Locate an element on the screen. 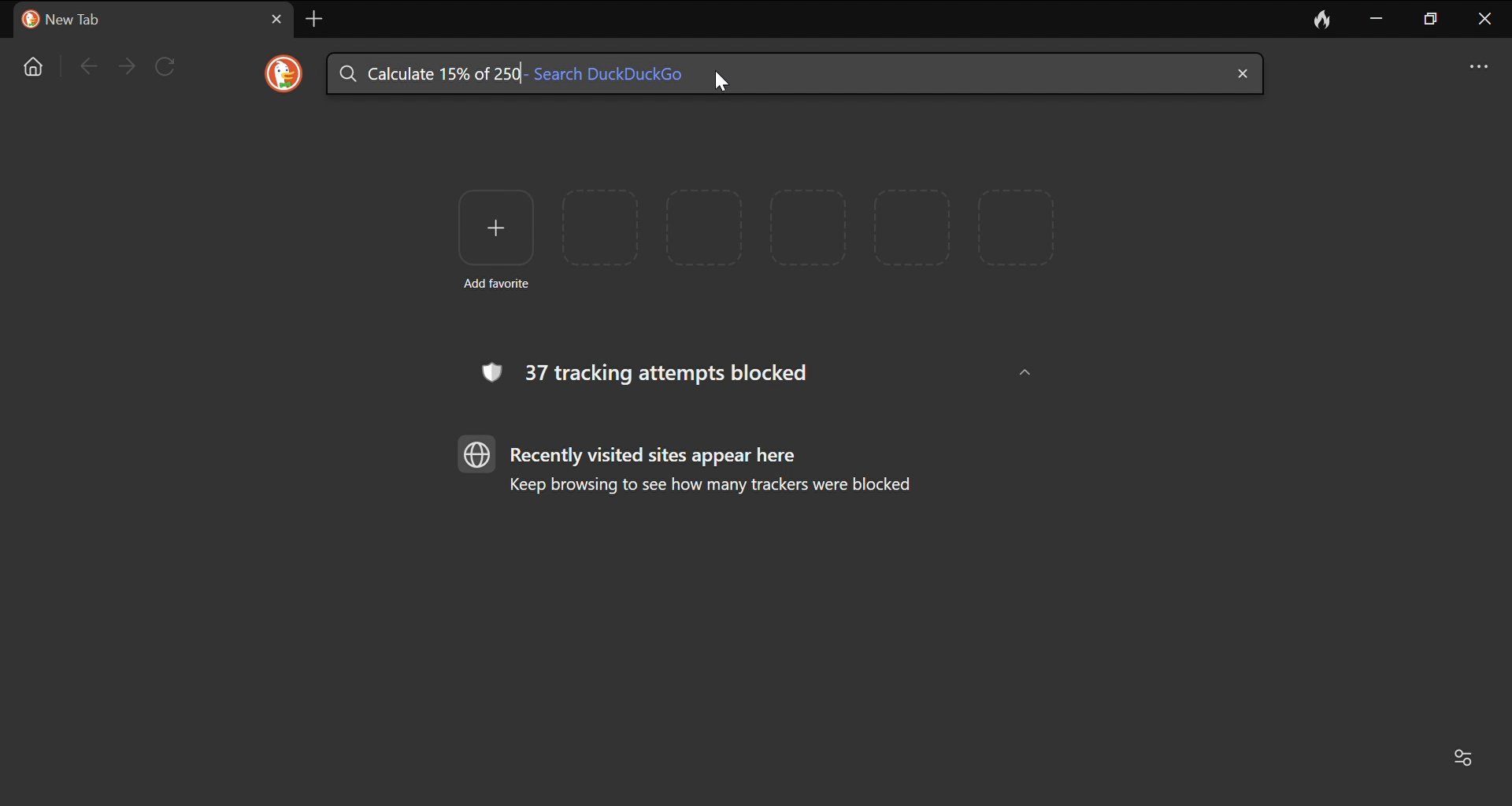  browser logo is located at coordinates (478, 453).